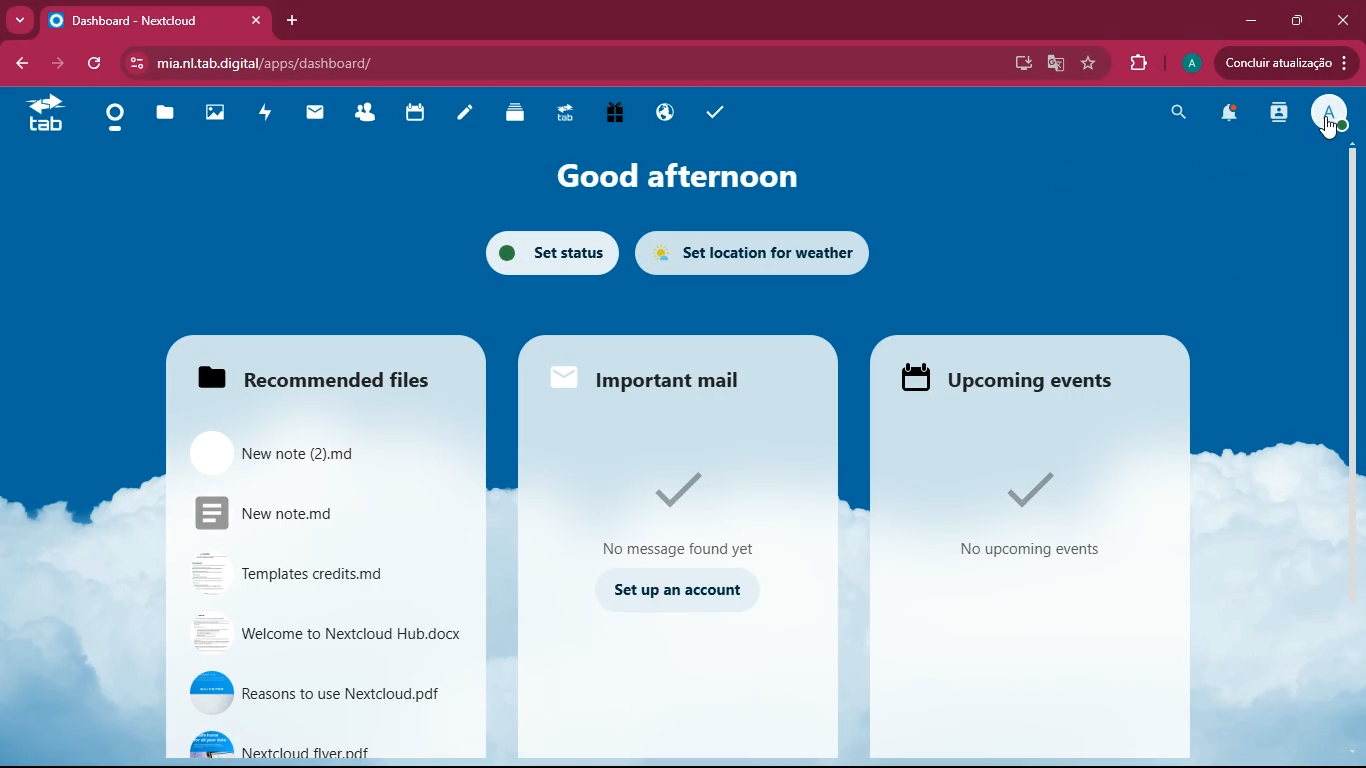  What do you see at coordinates (1020, 63) in the screenshot?
I see `desktop` at bounding box center [1020, 63].